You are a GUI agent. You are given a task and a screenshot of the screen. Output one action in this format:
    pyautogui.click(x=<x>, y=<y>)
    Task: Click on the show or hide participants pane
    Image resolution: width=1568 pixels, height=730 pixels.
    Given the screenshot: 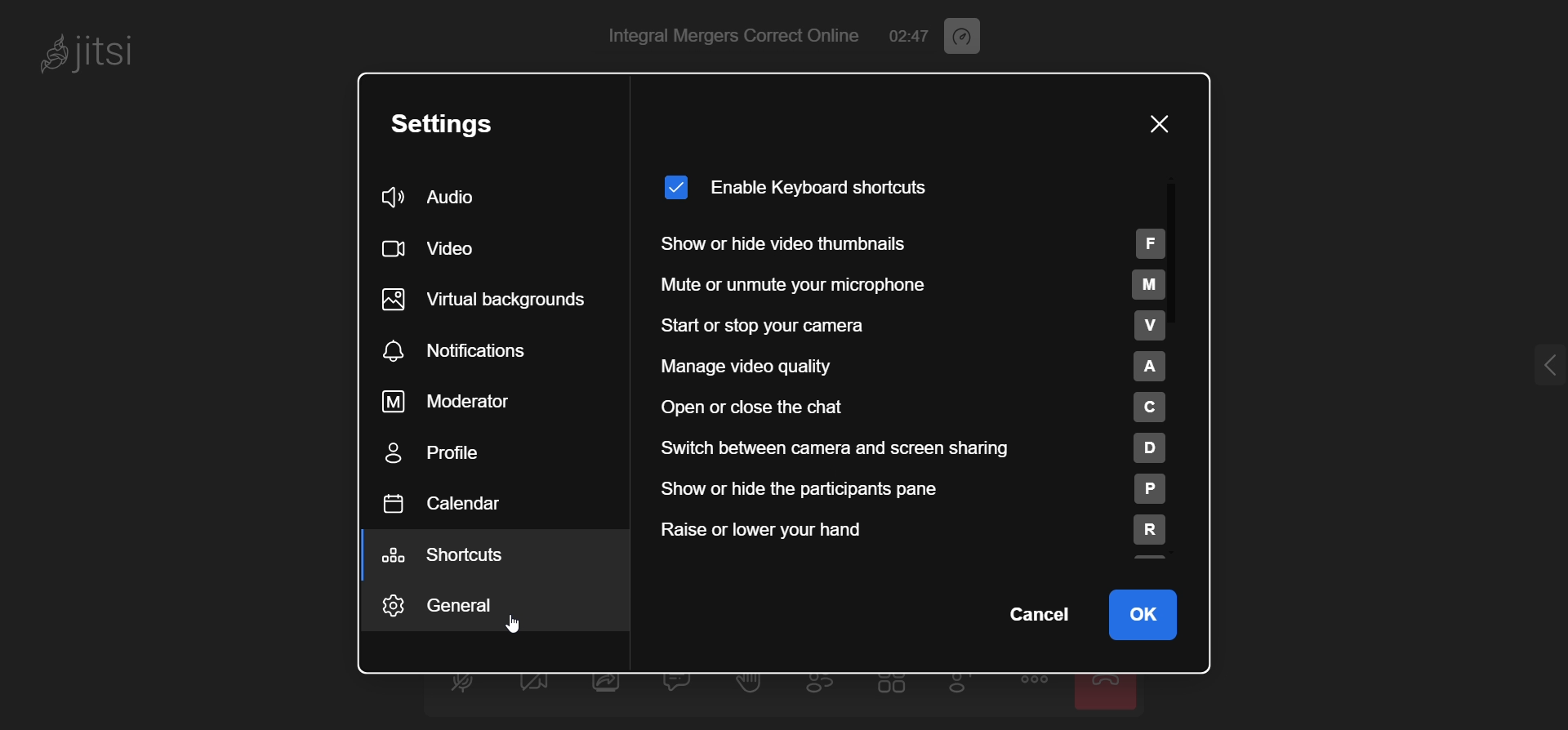 What is the action you would take?
    pyautogui.click(x=914, y=490)
    